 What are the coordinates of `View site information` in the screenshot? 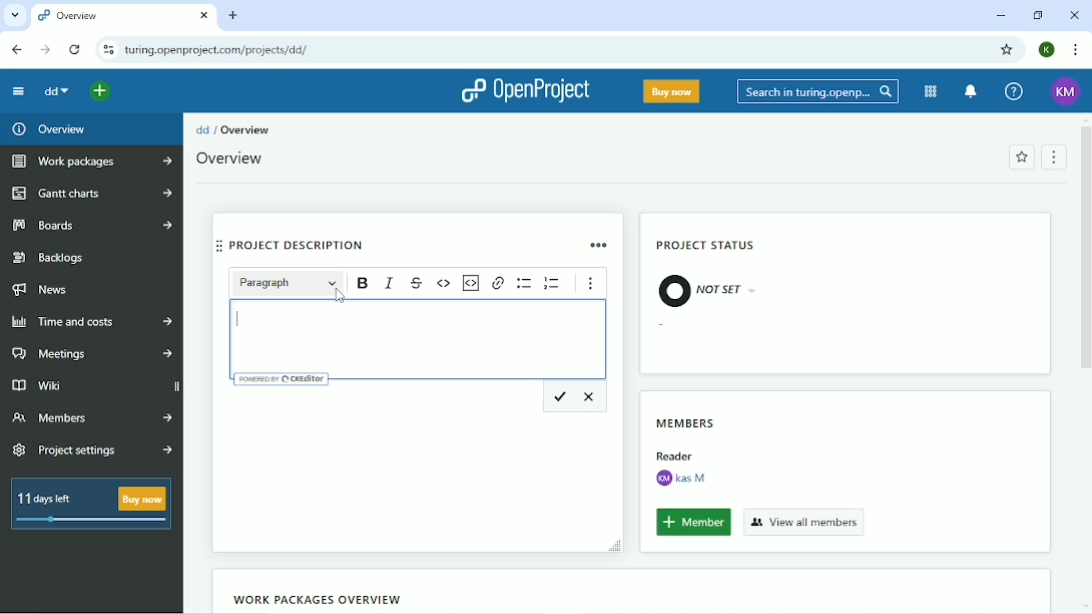 It's located at (108, 50).